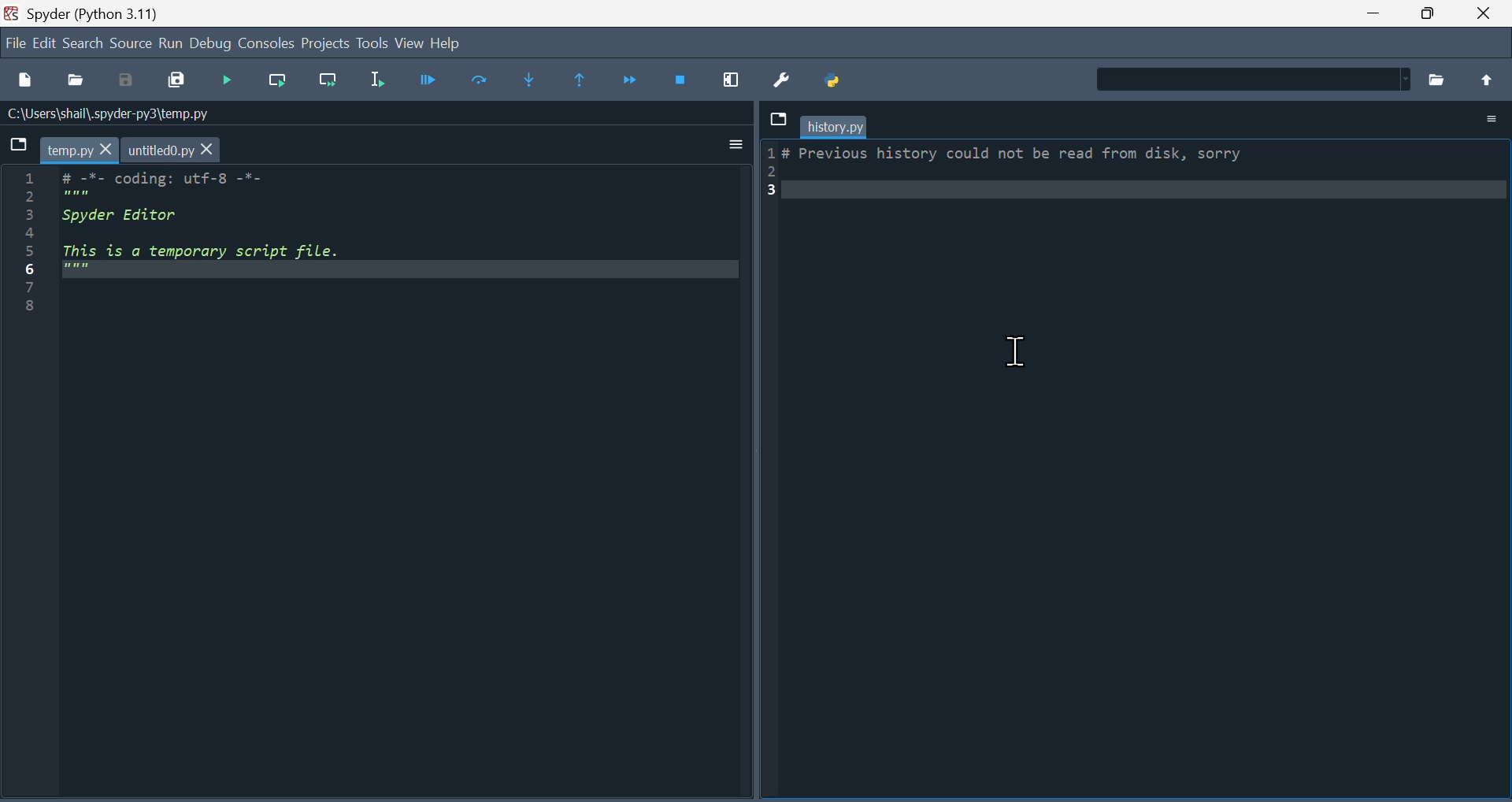 This screenshot has height=802, width=1512. I want to click on Preferences, so click(790, 79).